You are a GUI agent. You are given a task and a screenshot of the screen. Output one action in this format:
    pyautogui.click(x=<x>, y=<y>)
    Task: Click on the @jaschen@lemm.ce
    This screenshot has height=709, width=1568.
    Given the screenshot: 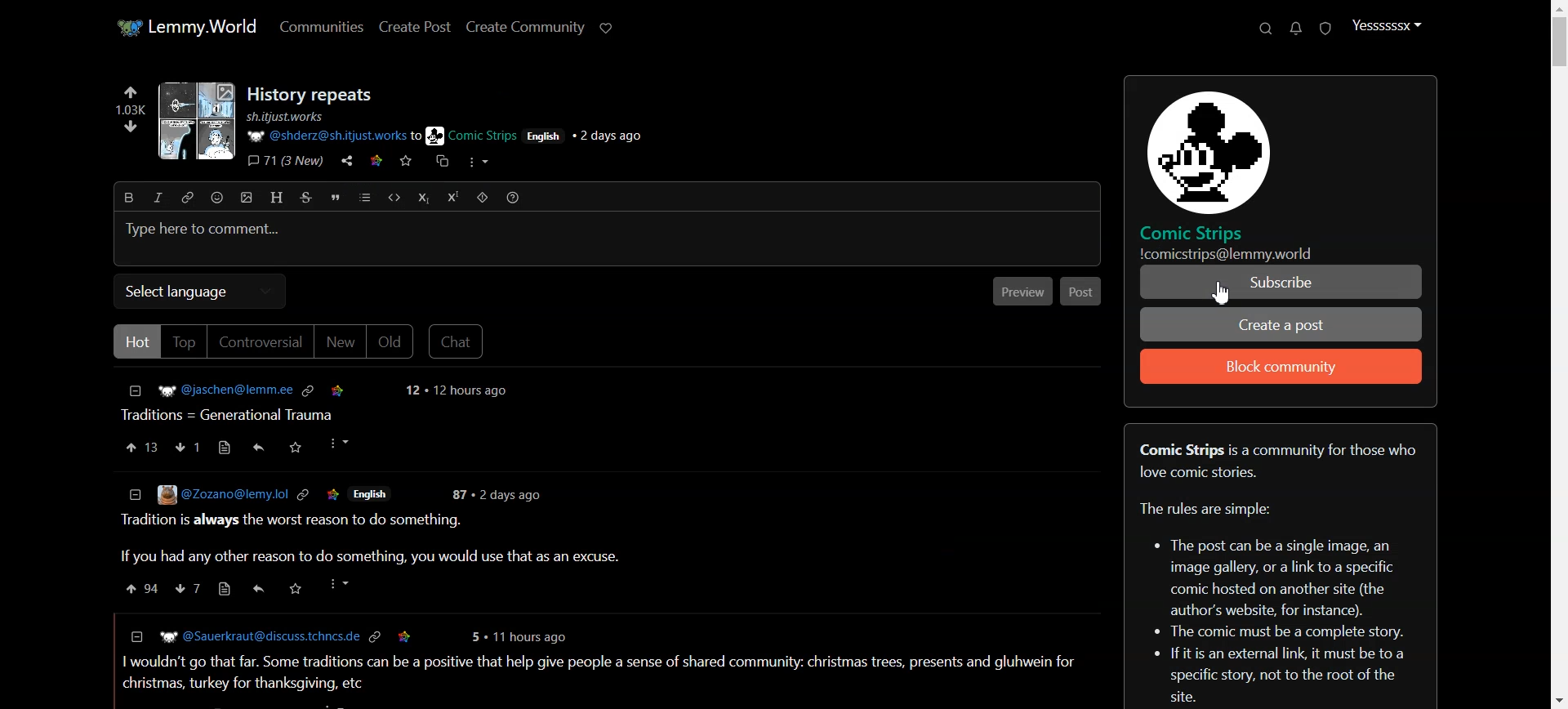 What is the action you would take?
    pyautogui.click(x=208, y=390)
    